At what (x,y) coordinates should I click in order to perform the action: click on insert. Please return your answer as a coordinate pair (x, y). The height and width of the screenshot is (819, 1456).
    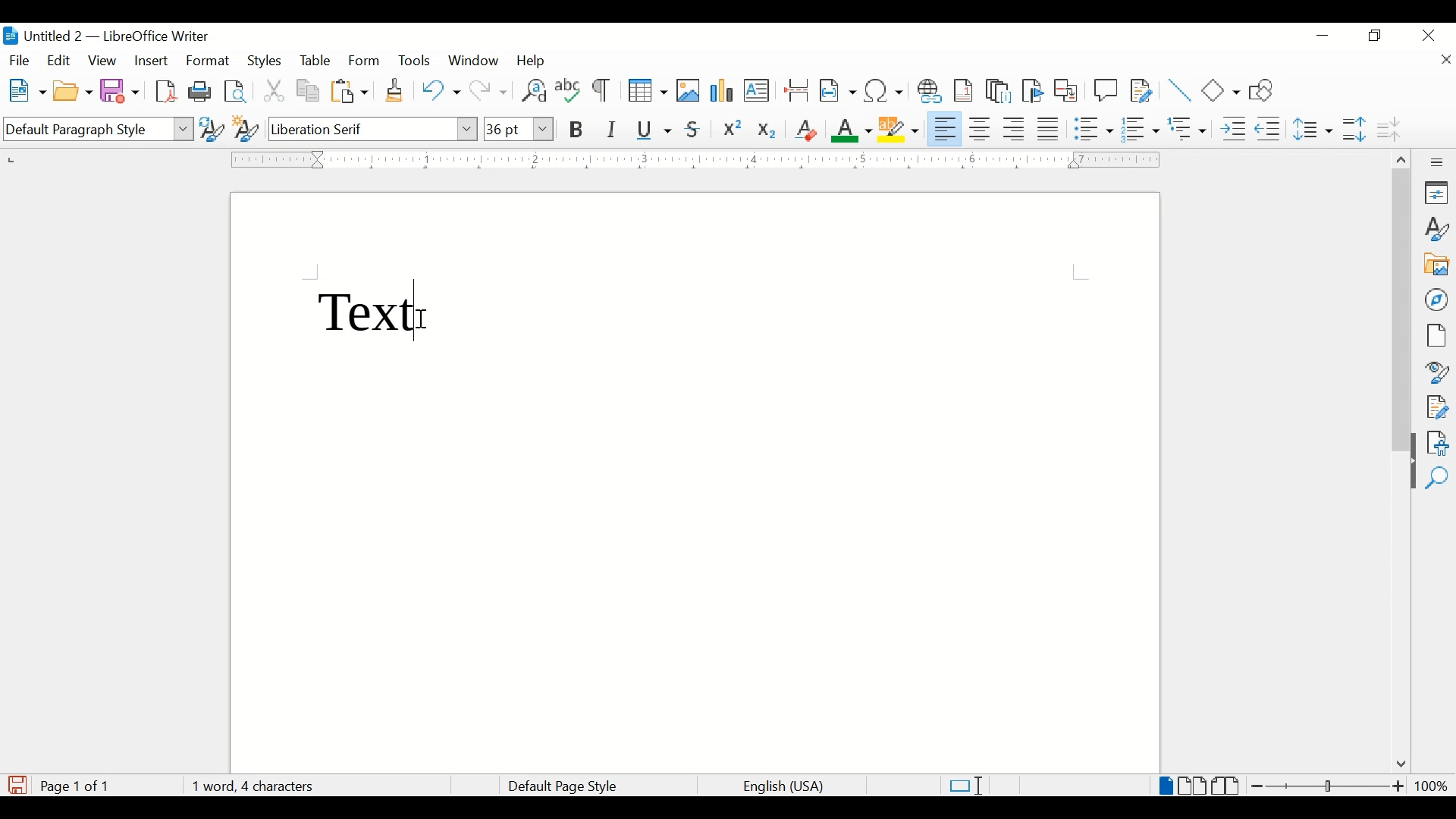
    Looking at the image, I should click on (150, 61).